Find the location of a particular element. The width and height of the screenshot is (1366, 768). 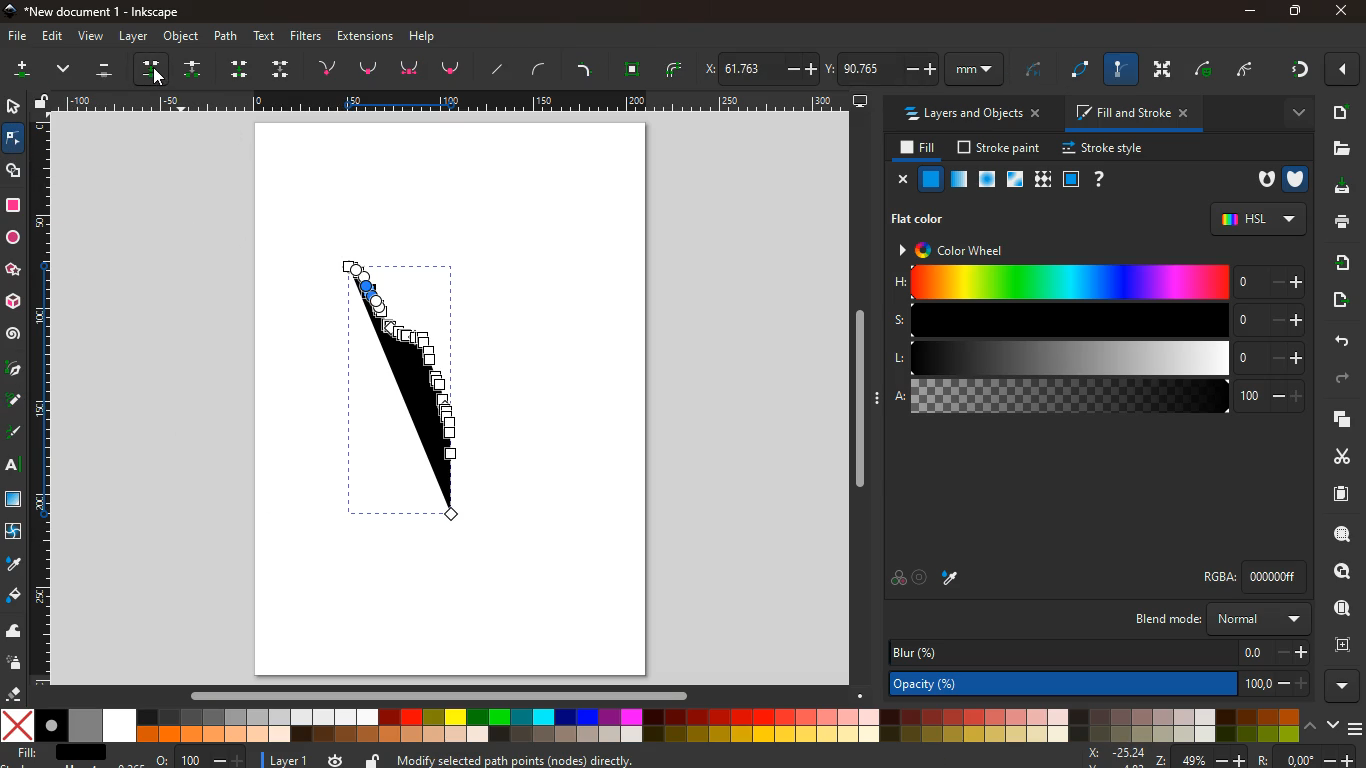

maximize is located at coordinates (1290, 10).